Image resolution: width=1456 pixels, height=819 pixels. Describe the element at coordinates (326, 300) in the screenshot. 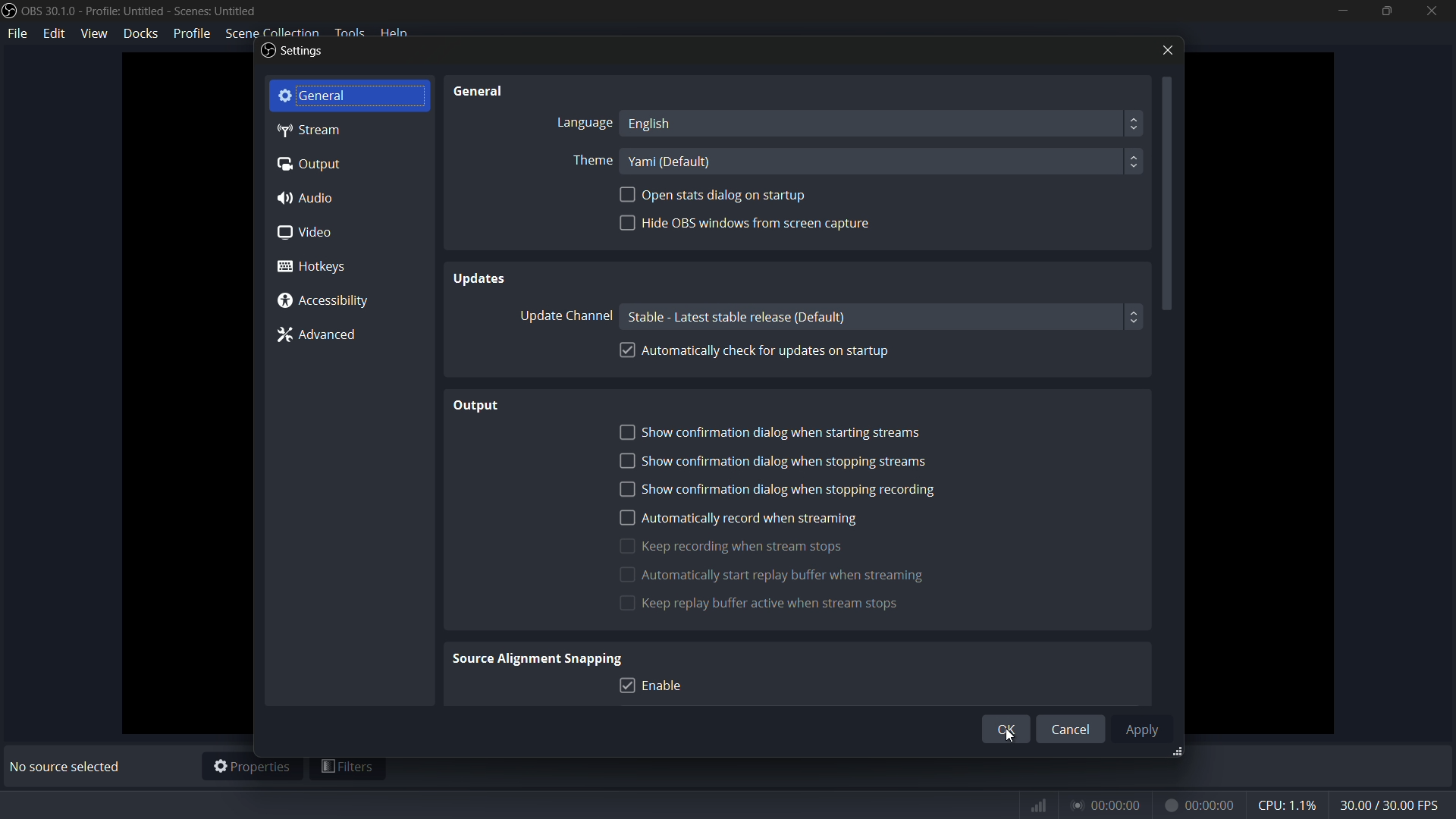

I see `Accessibility` at that location.